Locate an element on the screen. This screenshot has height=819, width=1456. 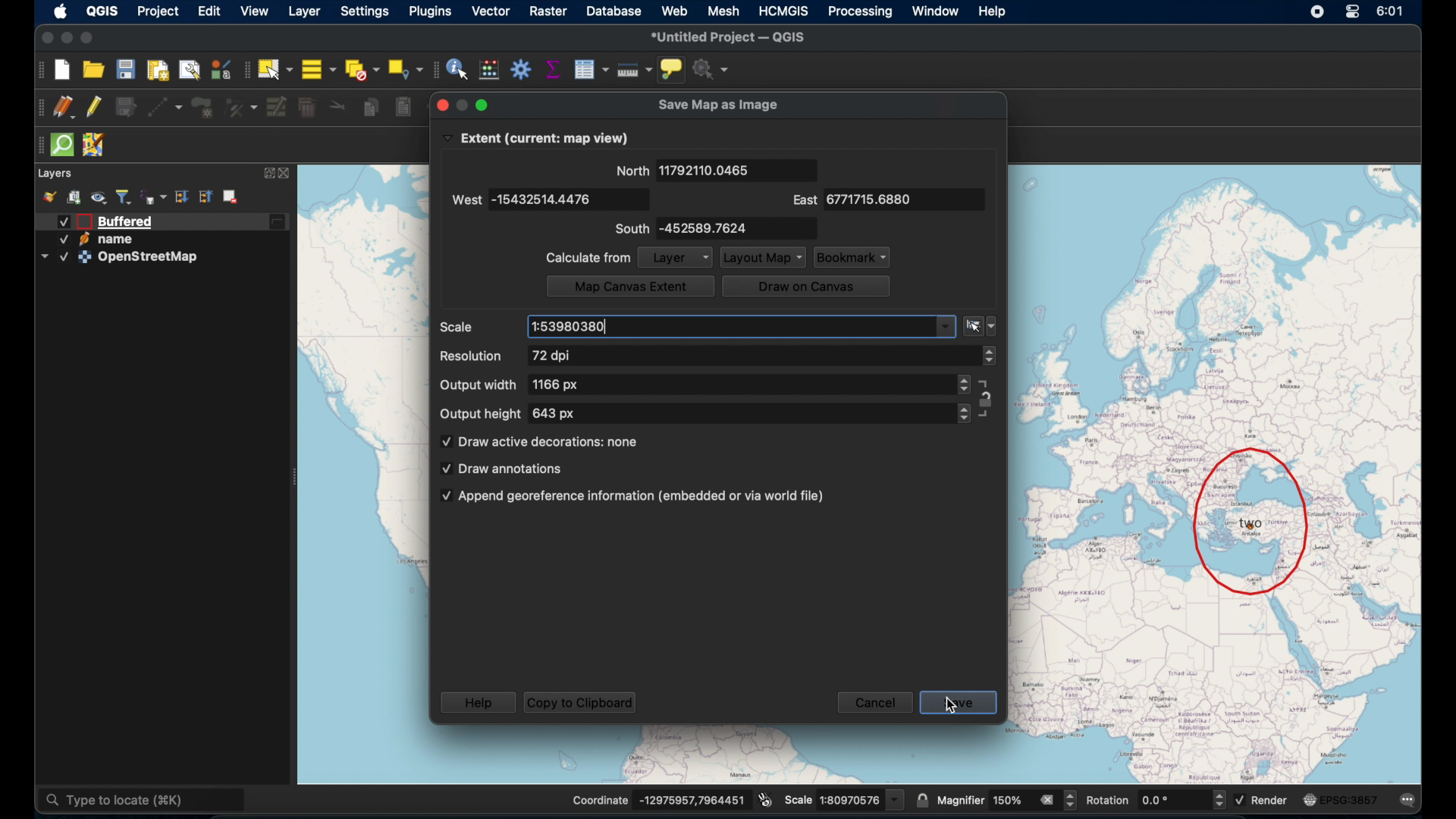
rotation input value is located at coordinates (1171, 801).